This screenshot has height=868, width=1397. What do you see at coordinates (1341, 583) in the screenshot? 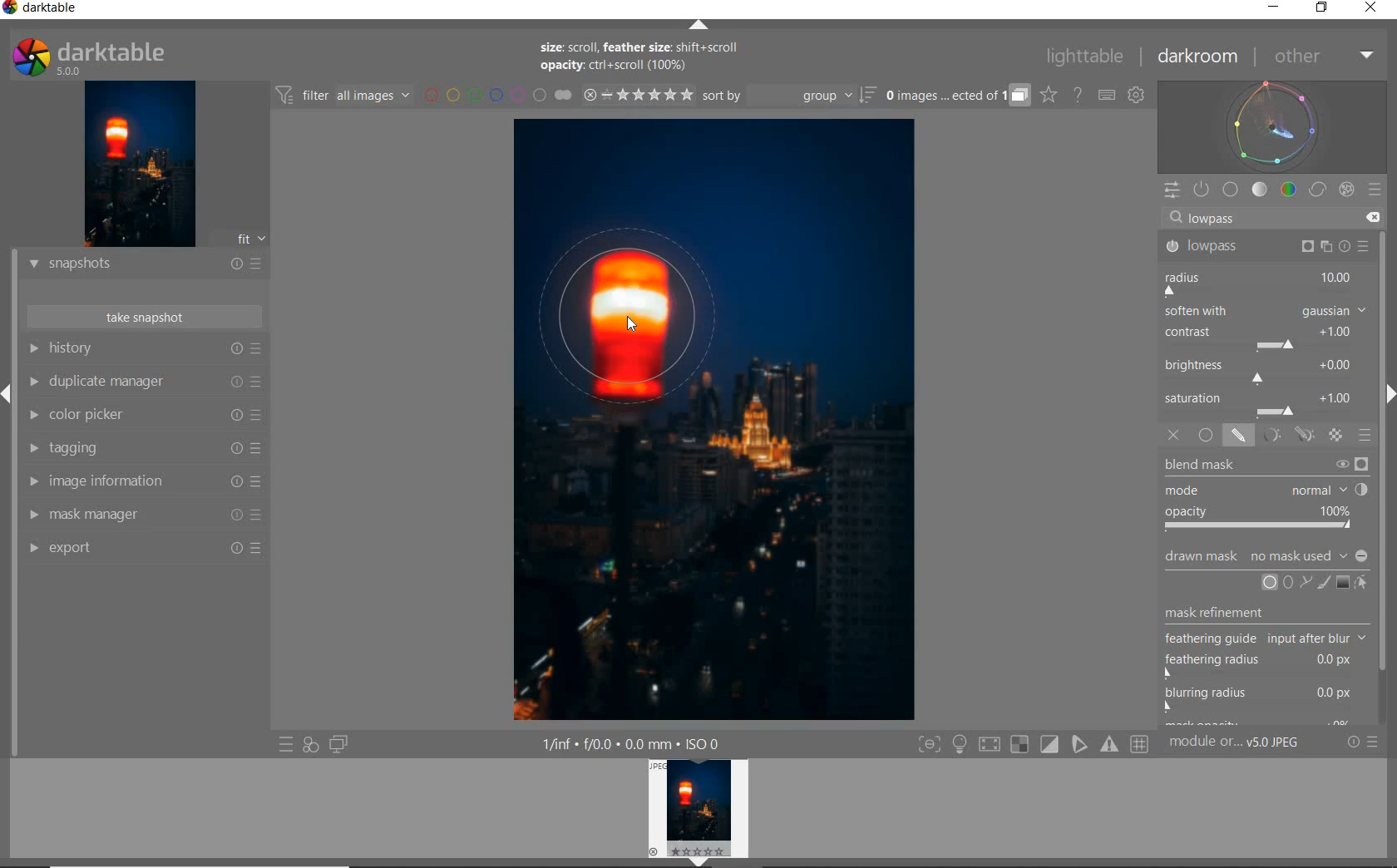
I see `ADD GRADIENT` at bounding box center [1341, 583].